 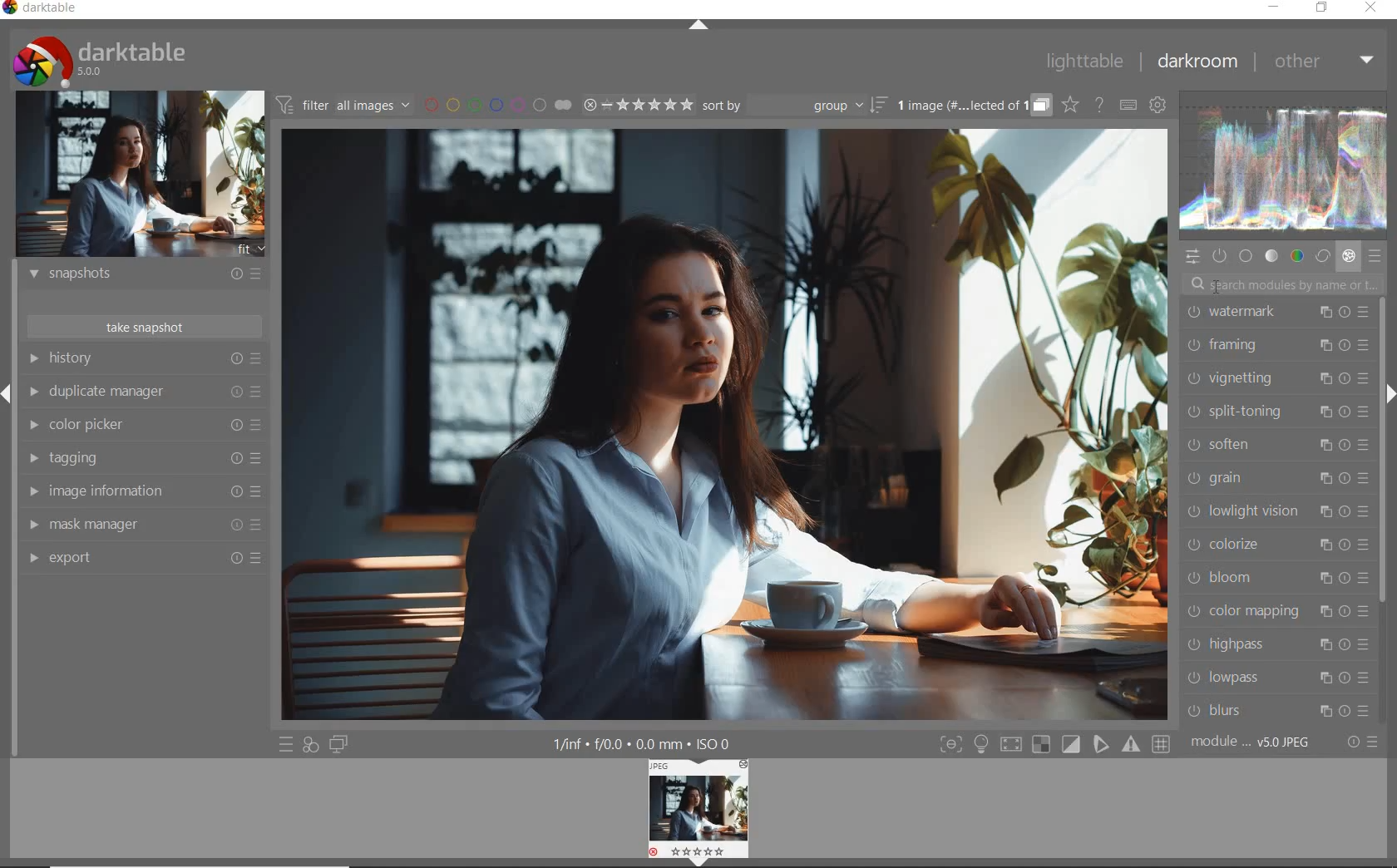 I want to click on tagging, so click(x=141, y=457).